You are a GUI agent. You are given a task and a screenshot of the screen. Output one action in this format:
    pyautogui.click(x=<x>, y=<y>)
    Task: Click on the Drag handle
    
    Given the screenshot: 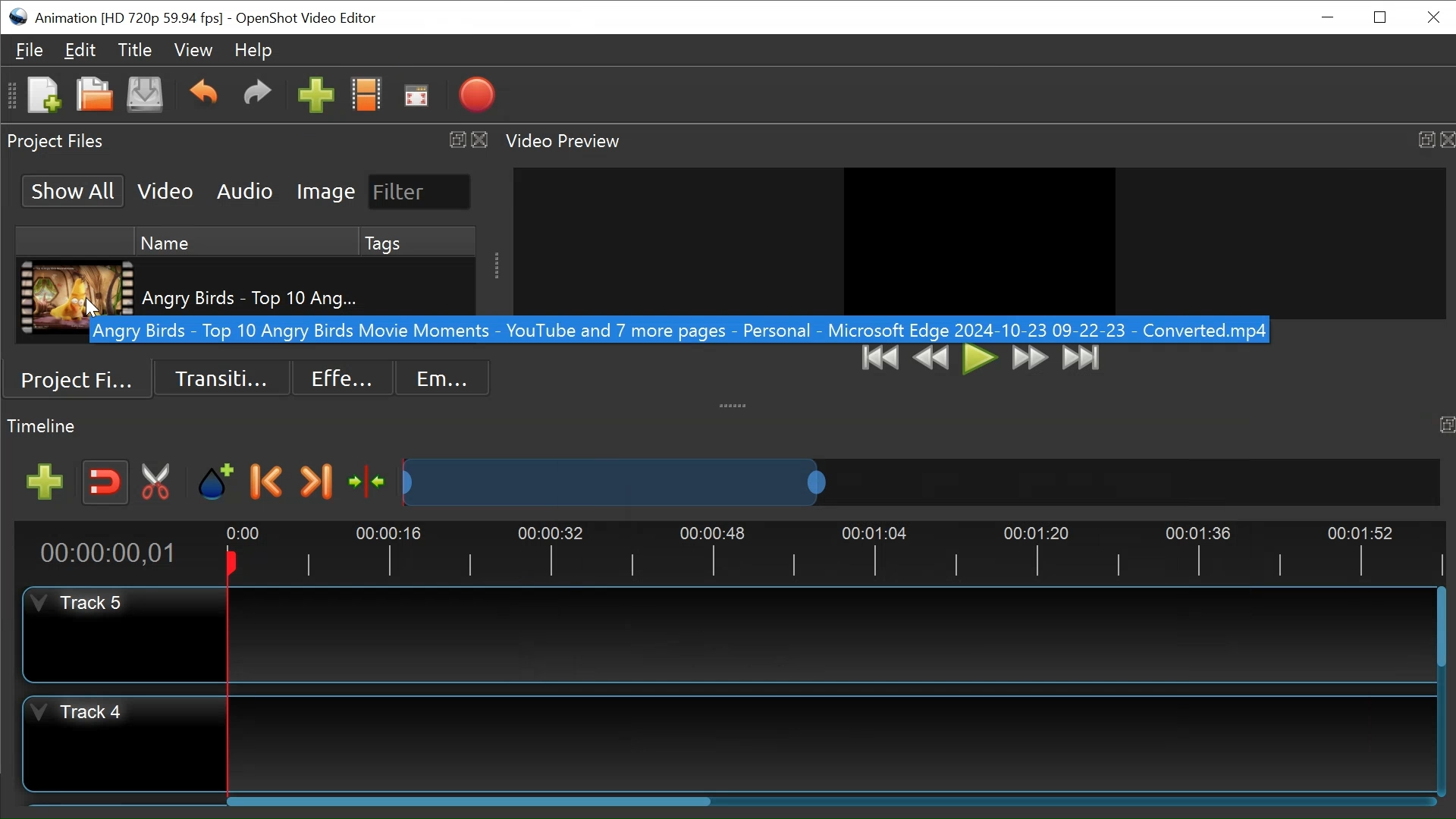 What is the action you would take?
    pyautogui.click(x=736, y=403)
    